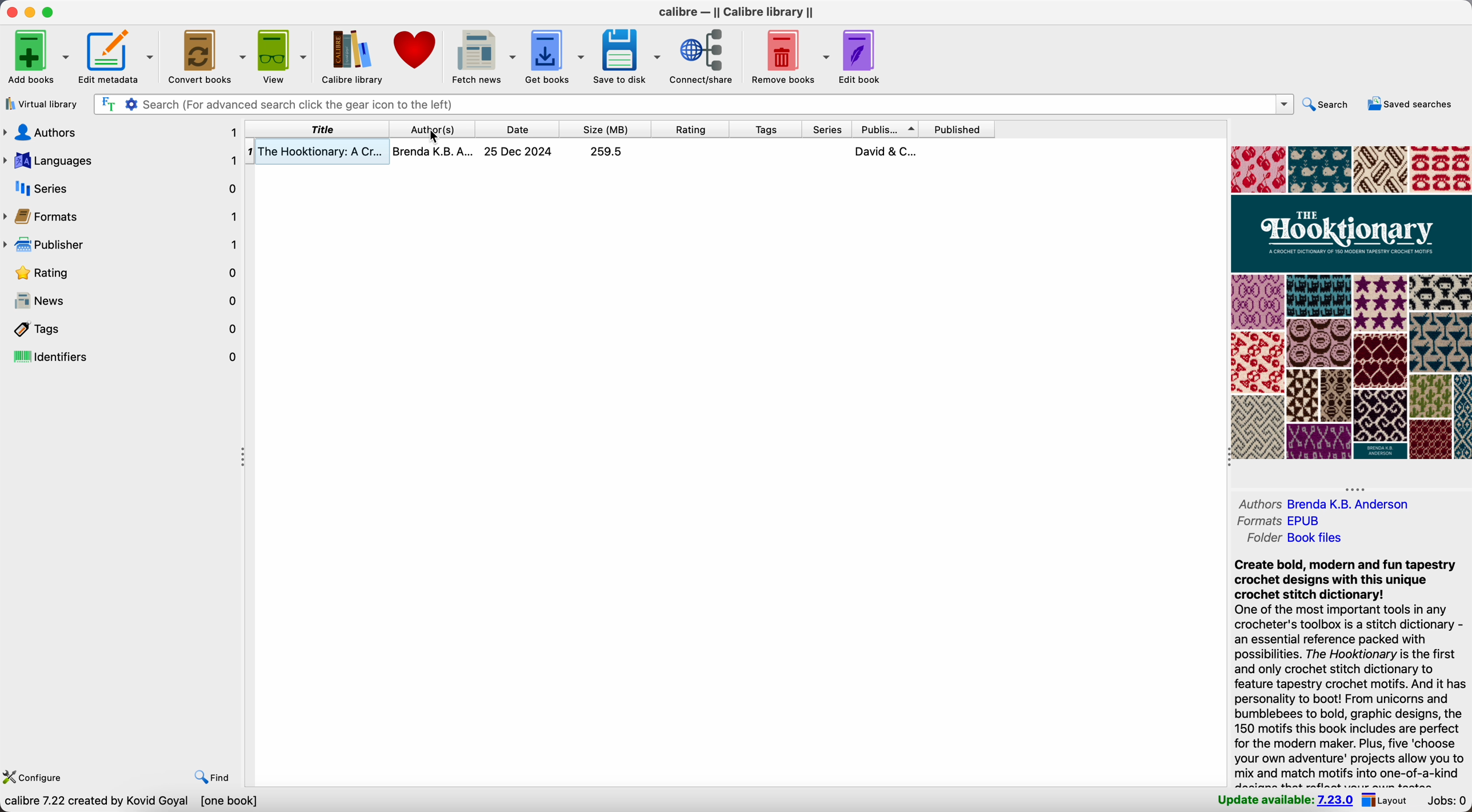 This screenshot has width=1472, height=812. What do you see at coordinates (42, 105) in the screenshot?
I see `virtual library` at bounding box center [42, 105].